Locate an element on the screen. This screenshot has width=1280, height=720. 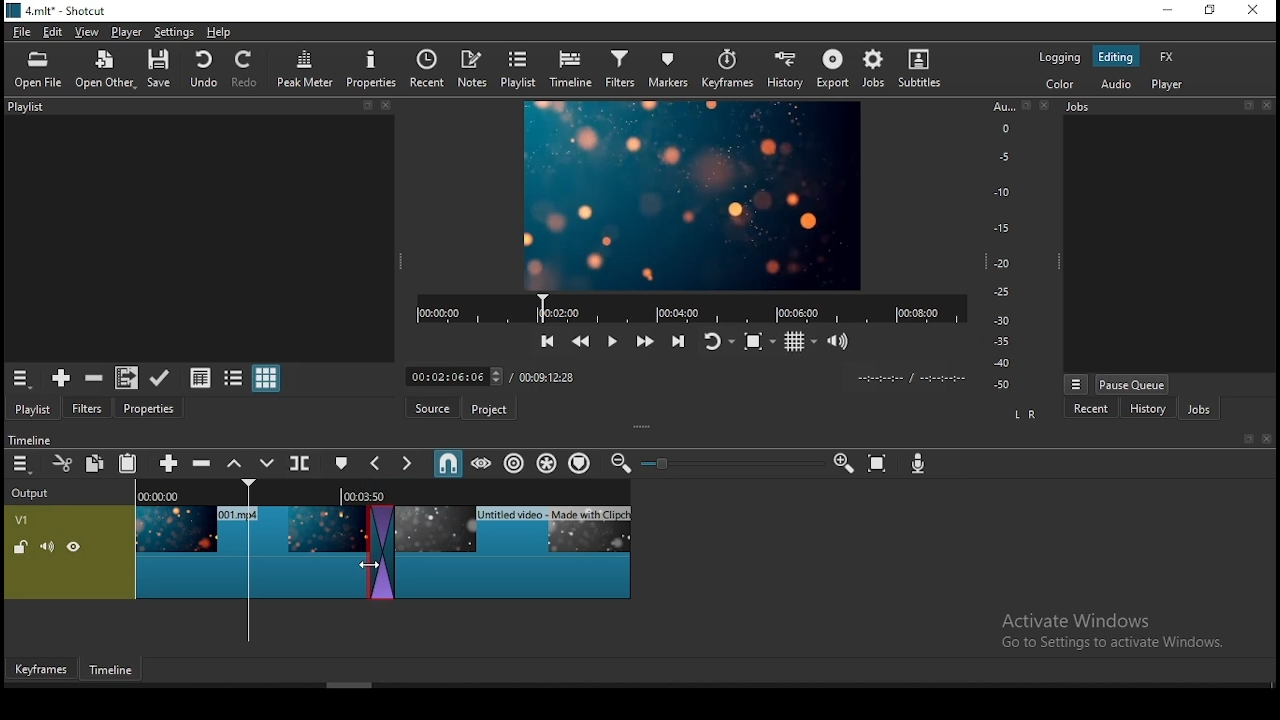
project is located at coordinates (487, 408).